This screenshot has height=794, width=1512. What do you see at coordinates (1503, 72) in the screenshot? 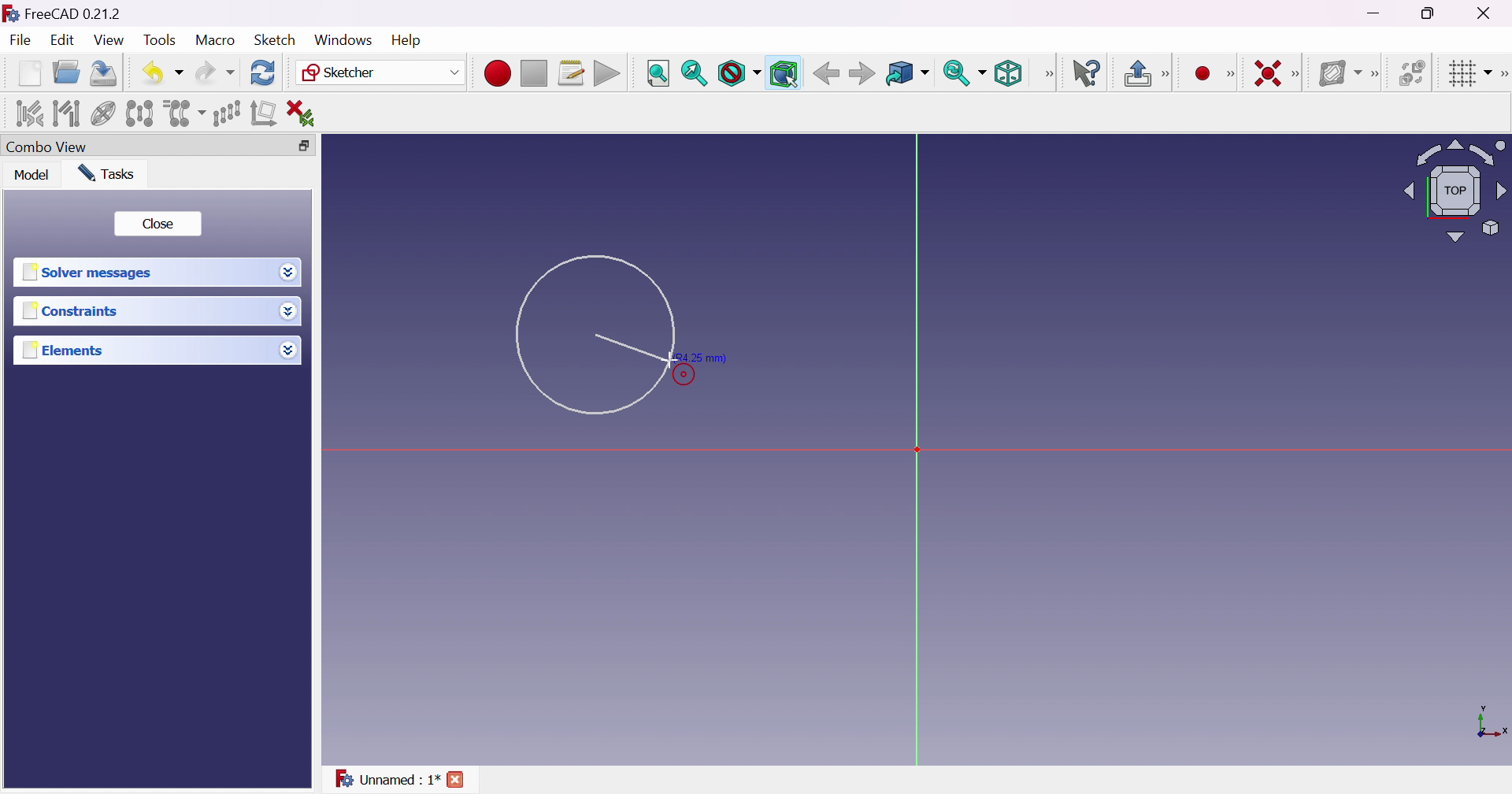
I see `[Sketcher edit tools]` at bounding box center [1503, 72].